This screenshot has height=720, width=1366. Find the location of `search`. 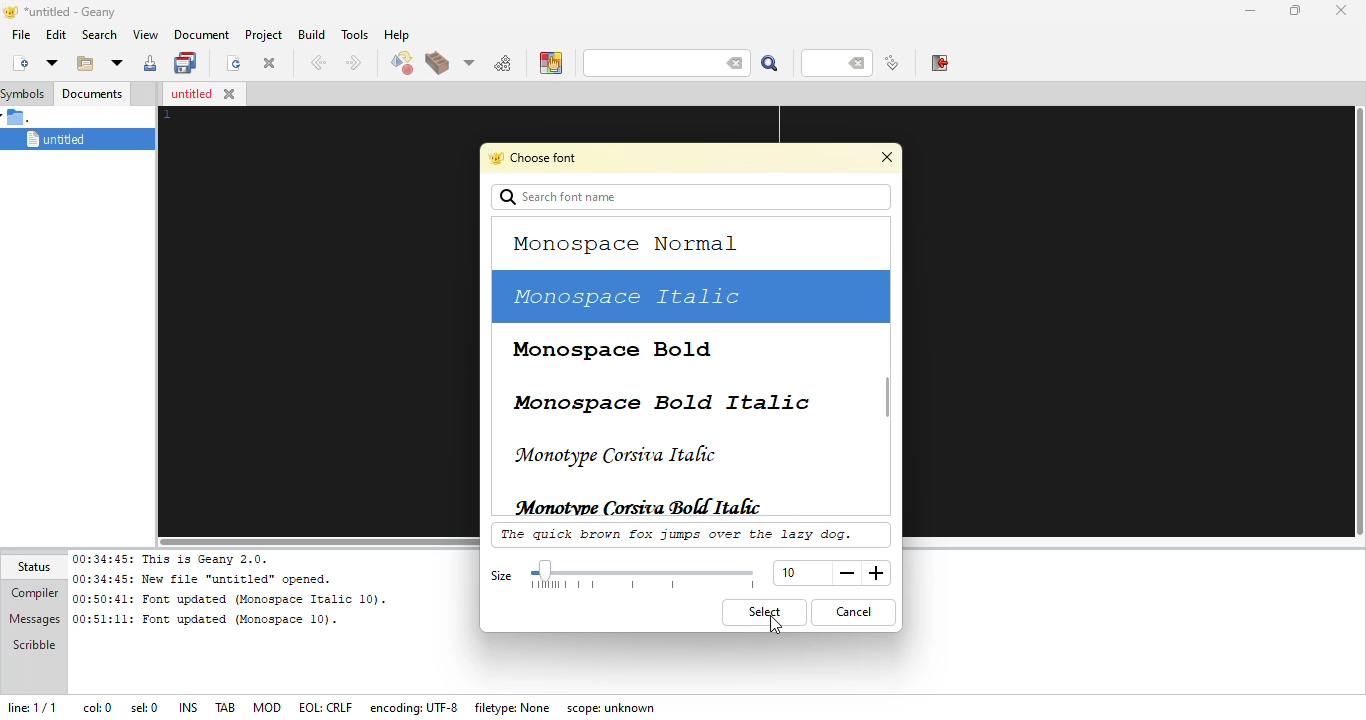

search is located at coordinates (641, 63).